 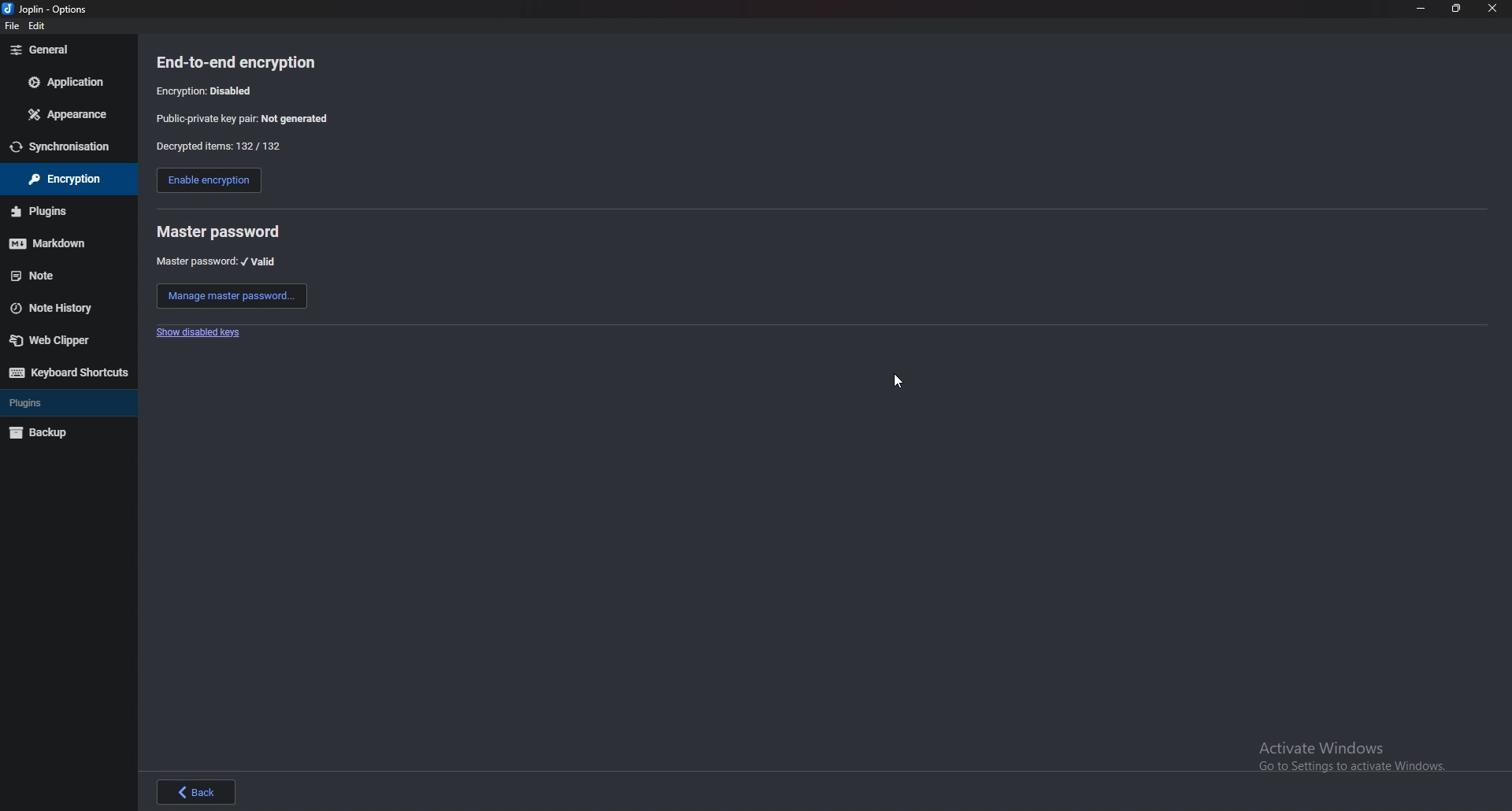 I want to click on encryption, so click(x=60, y=180).